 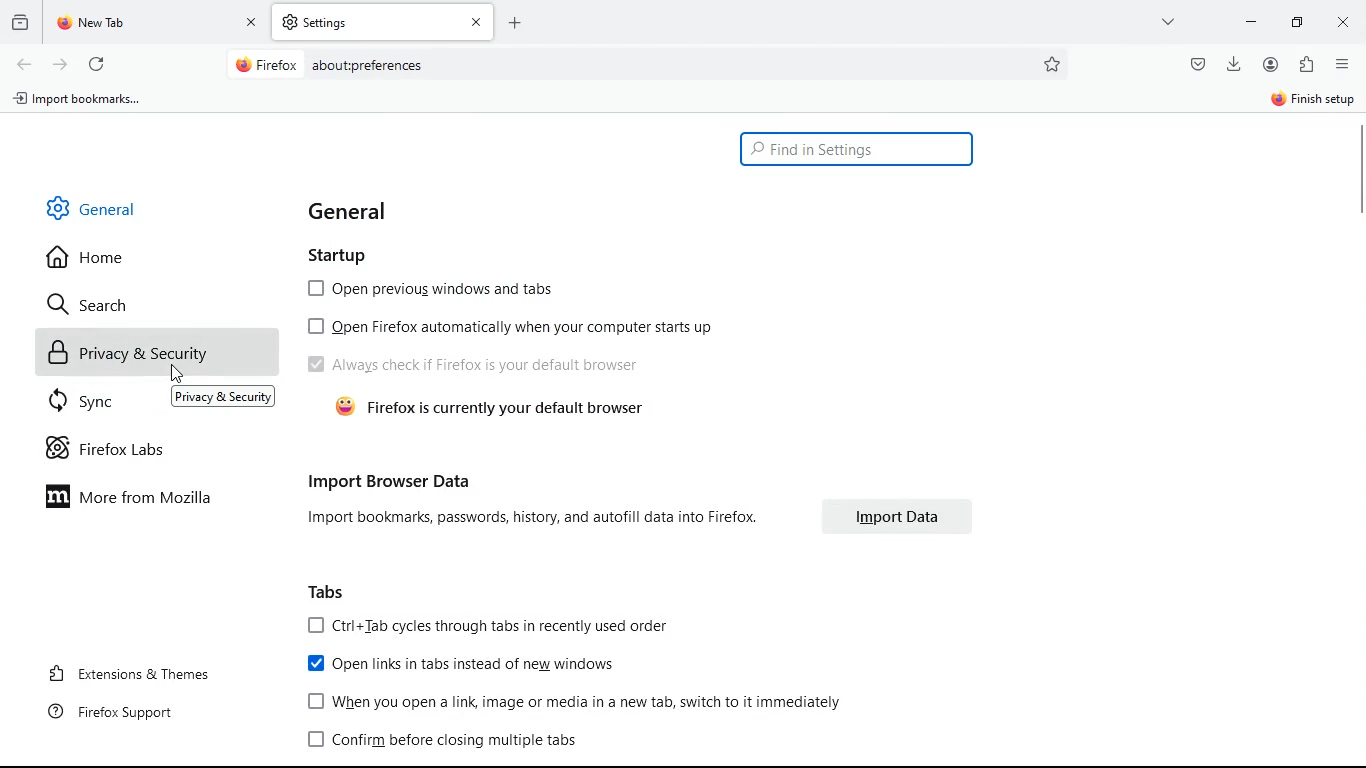 What do you see at coordinates (520, 328) in the screenshot?
I see `open Firefox automatically when your computer start up` at bounding box center [520, 328].